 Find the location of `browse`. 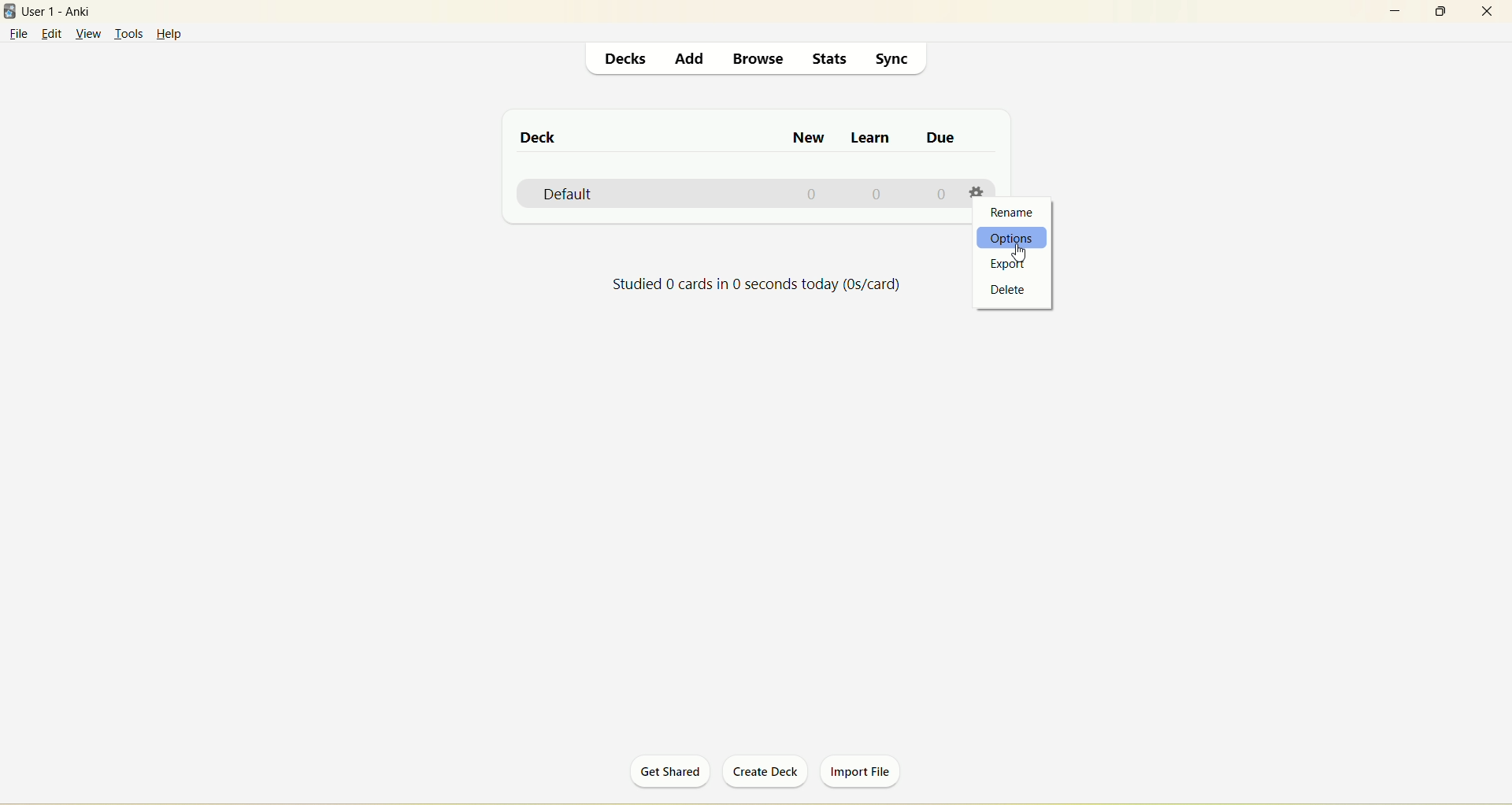

browse is located at coordinates (754, 57).